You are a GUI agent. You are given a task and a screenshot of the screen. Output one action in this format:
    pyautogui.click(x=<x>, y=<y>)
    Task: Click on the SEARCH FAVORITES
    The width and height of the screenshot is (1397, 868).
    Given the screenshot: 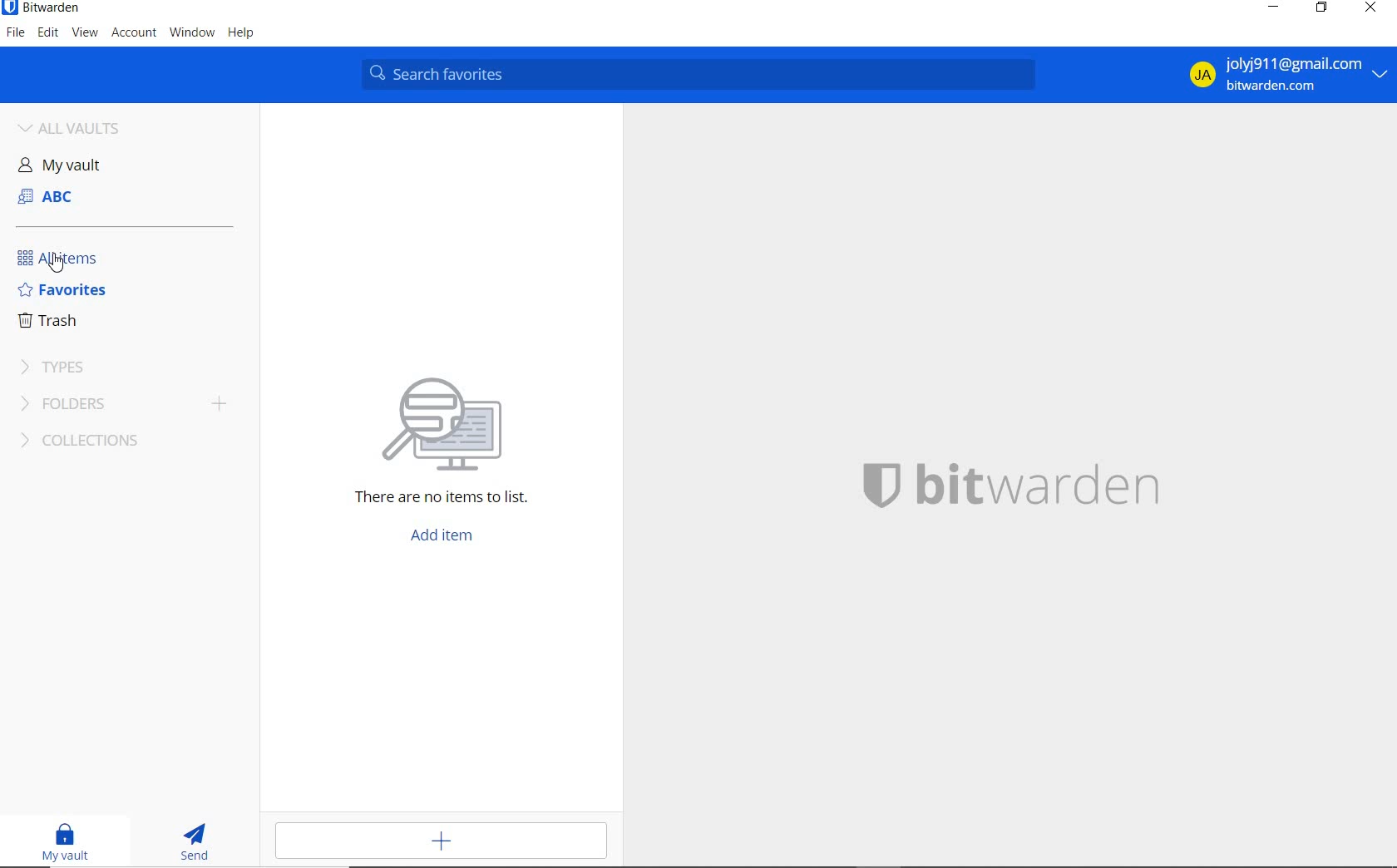 What is the action you would take?
    pyautogui.click(x=702, y=74)
    